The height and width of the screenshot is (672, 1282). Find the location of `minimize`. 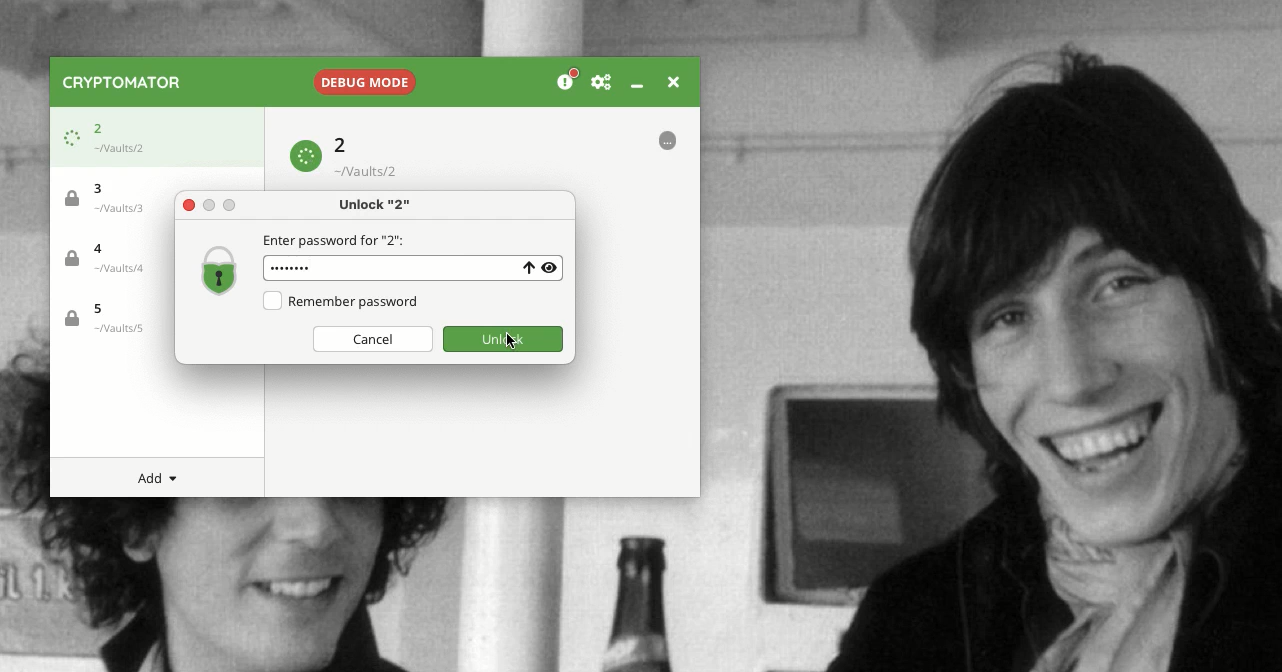

minimize is located at coordinates (211, 206).